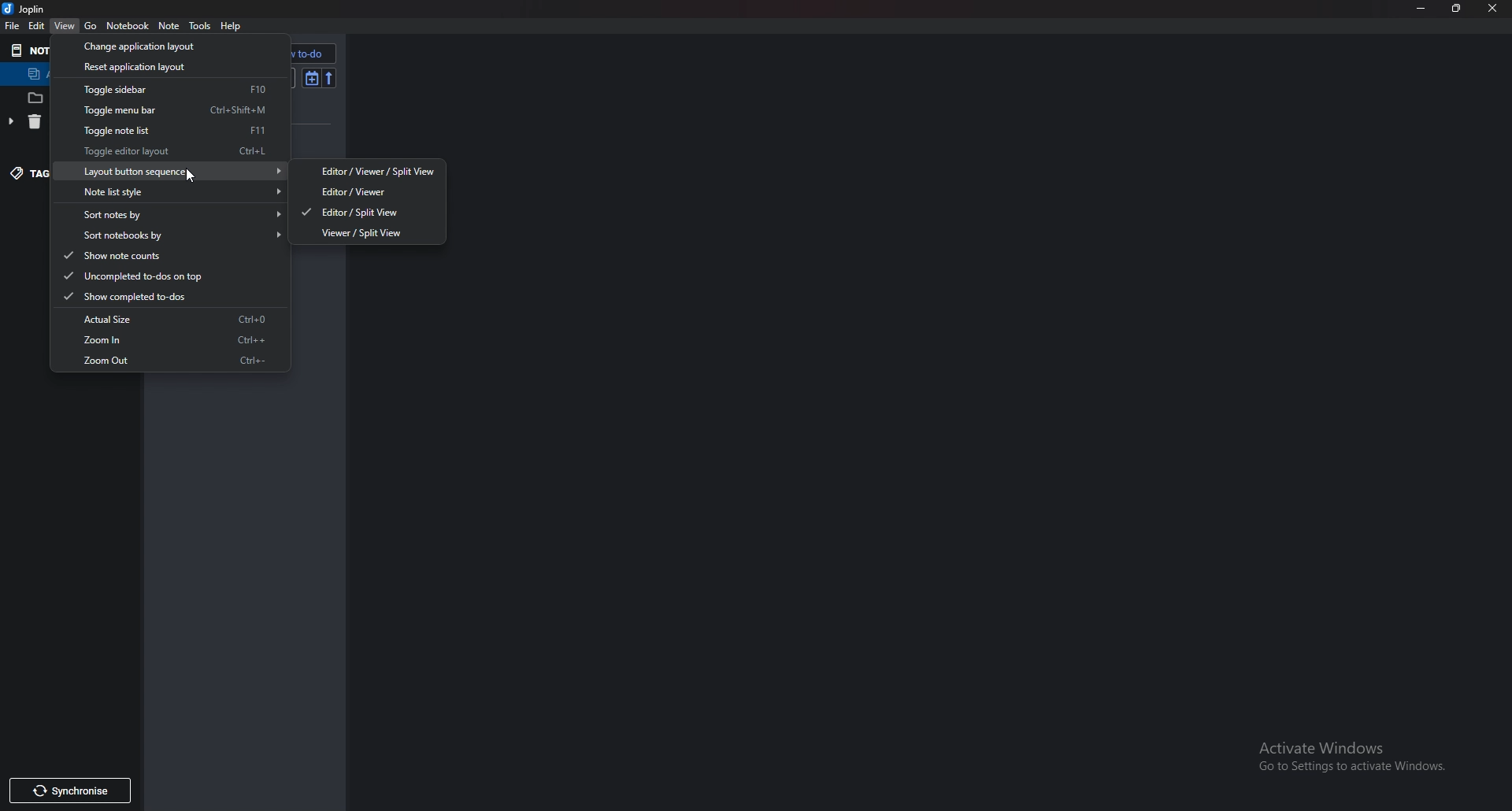 The height and width of the screenshot is (811, 1512). What do you see at coordinates (174, 235) in the screenshot?
I see `Sort notebooks by` at bounding box center [174, 235].